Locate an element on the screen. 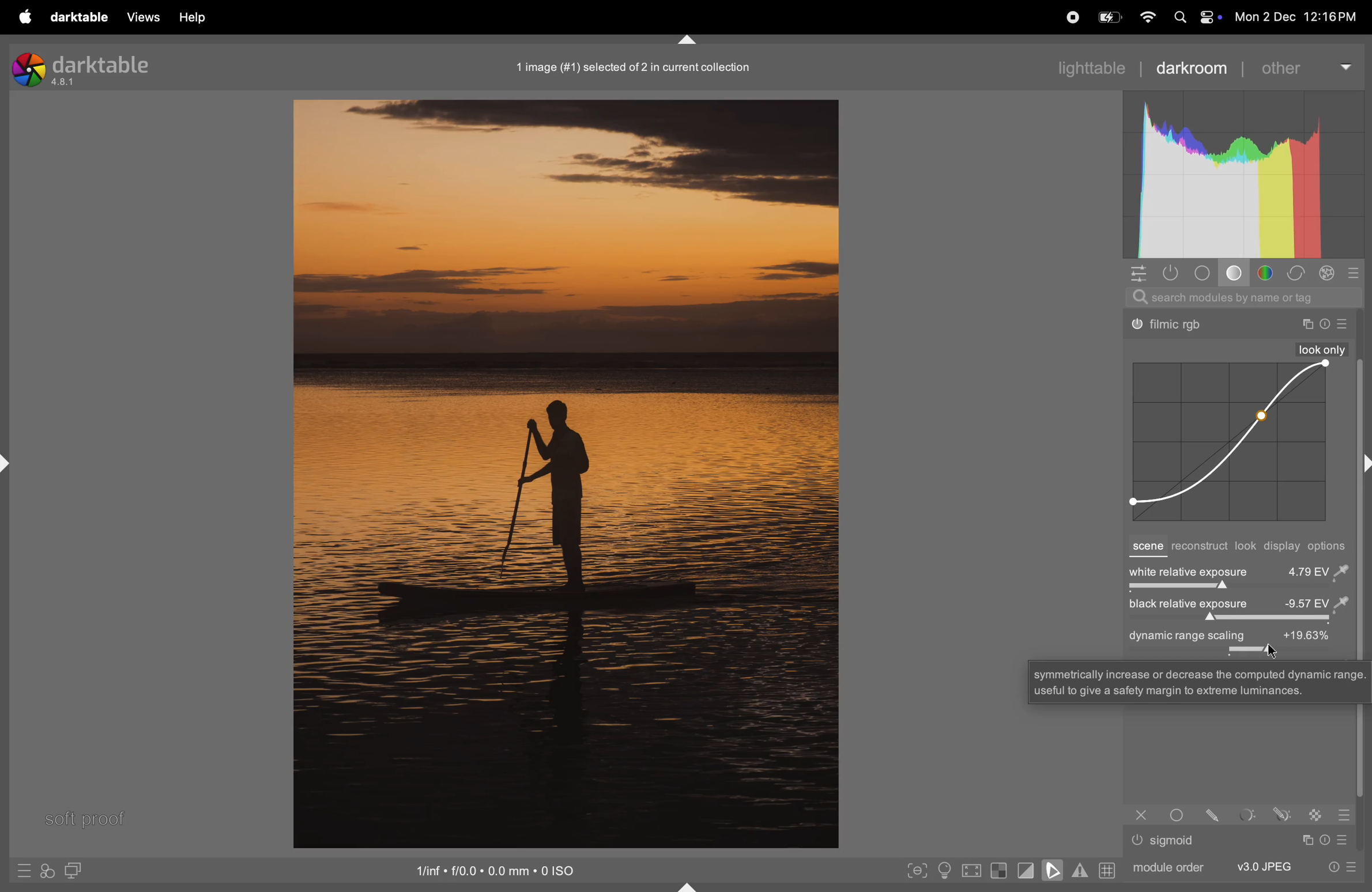   is located at coordinates (1344, 815).